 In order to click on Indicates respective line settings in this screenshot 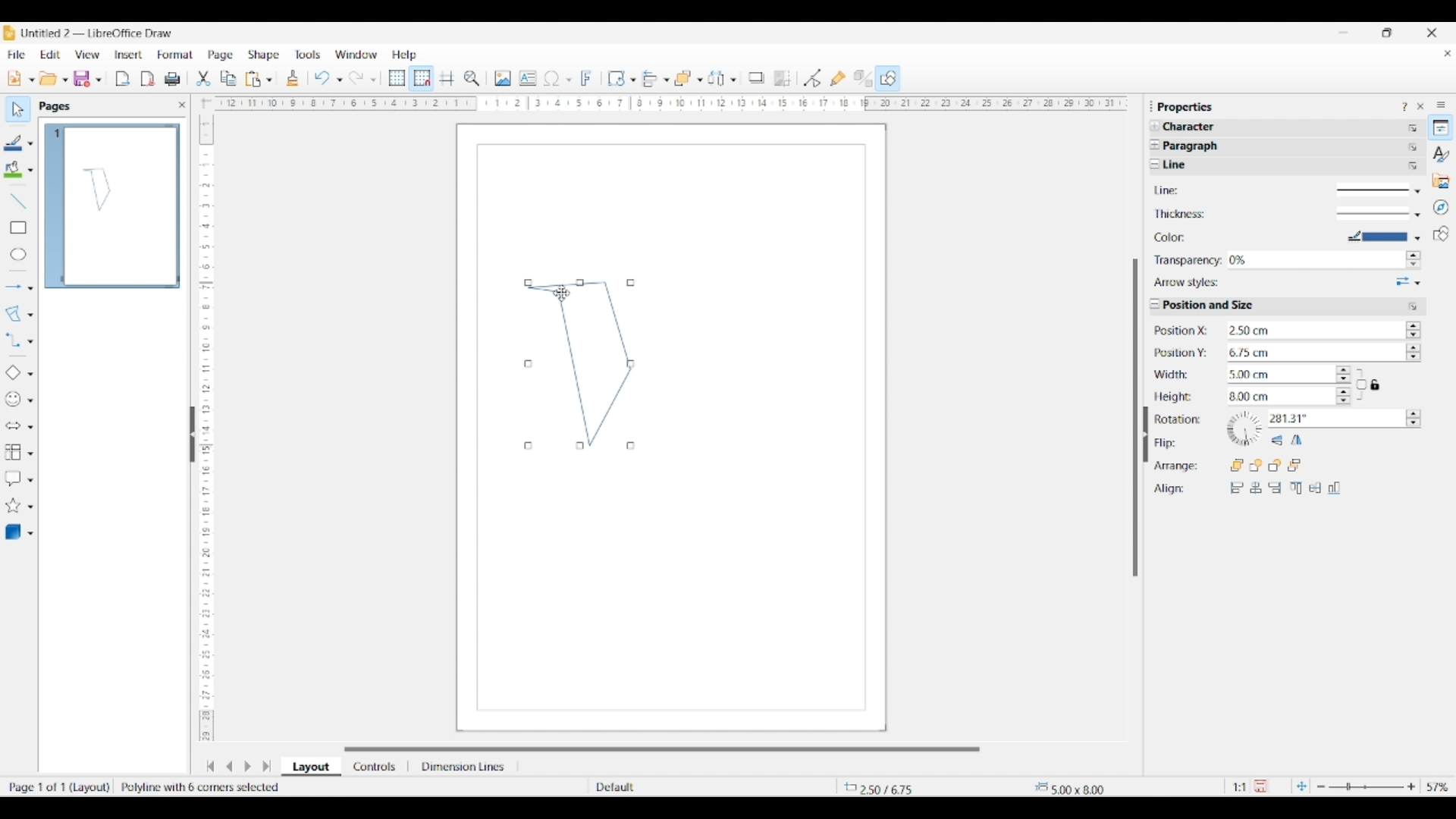, I will do `click(1188, 237)`.